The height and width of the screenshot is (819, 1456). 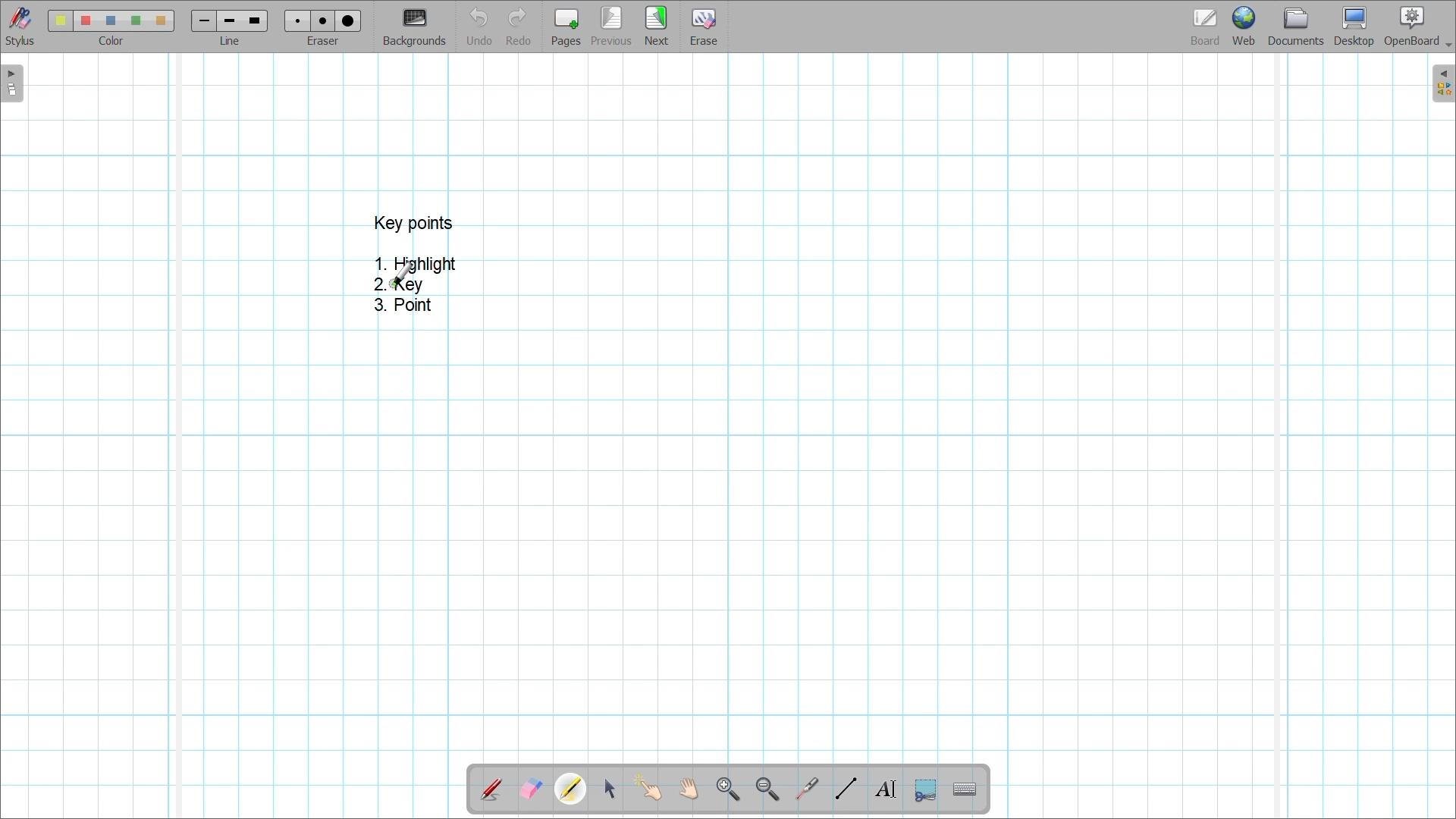 What do you see at coordinates (60, 20) in the screenshot?
I see `Color 1` at bounding box center [60, 20].